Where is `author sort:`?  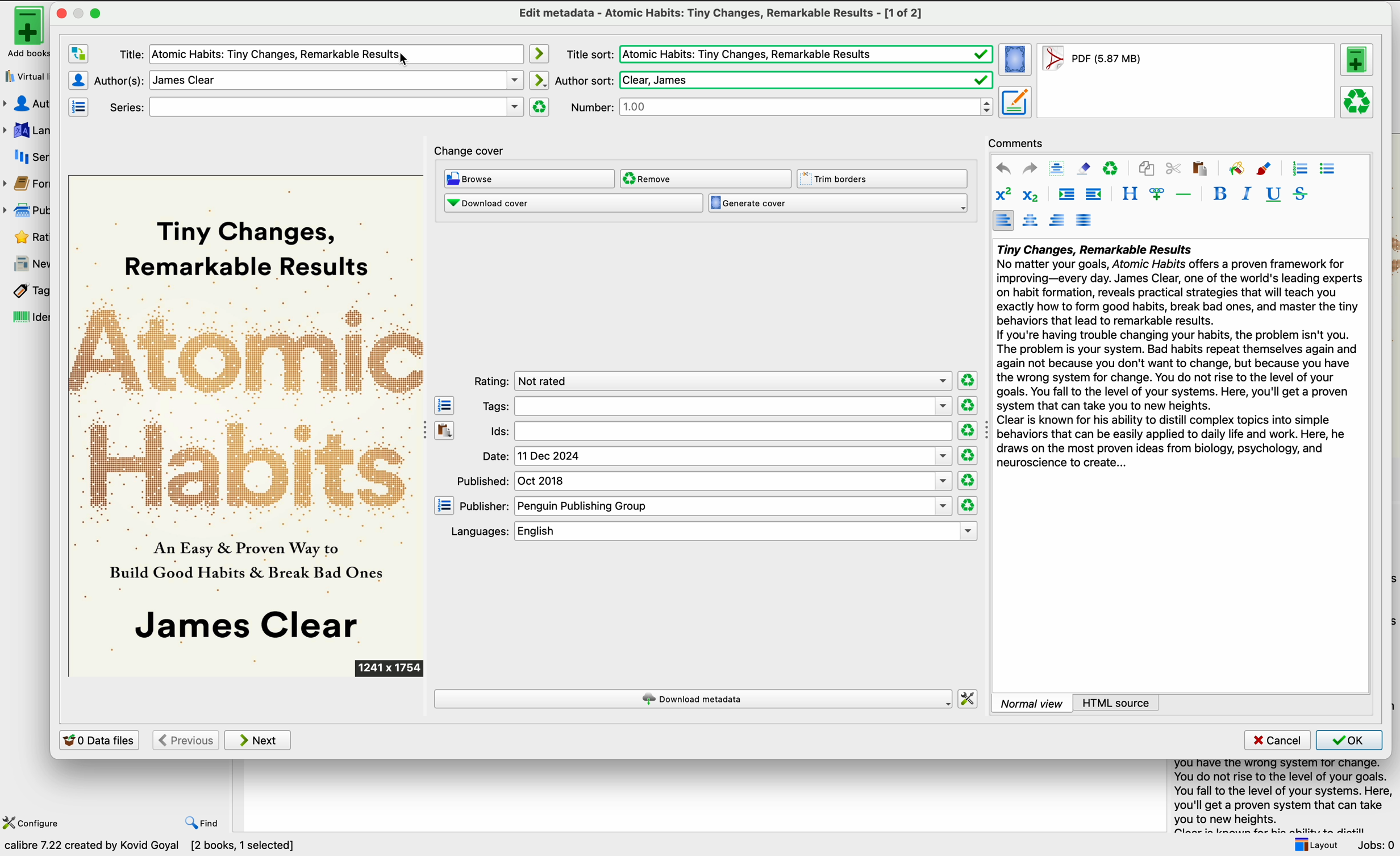 author sort: is located at coordinates (773, 79).